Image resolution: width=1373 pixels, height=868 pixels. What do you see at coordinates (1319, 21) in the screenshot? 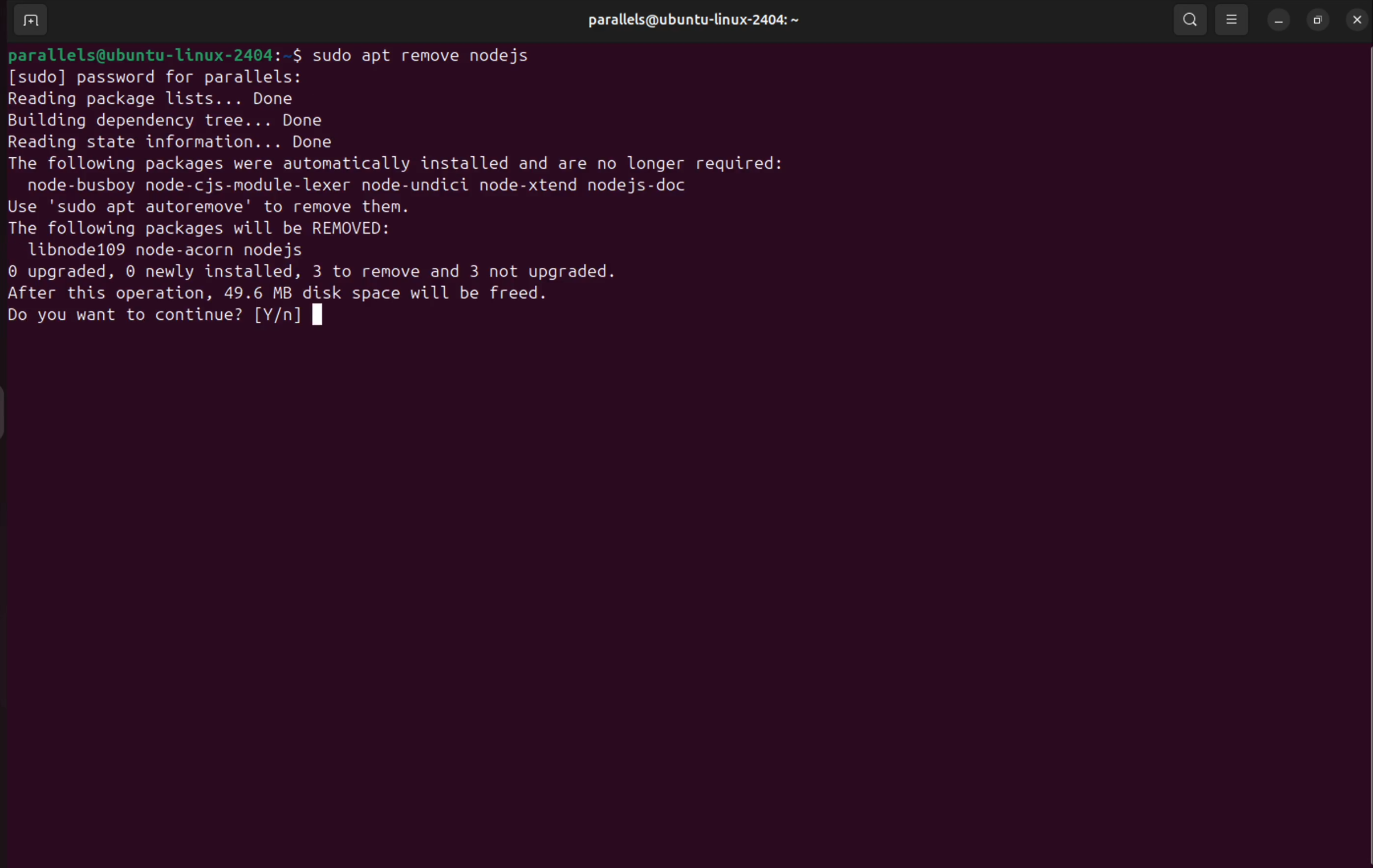
I see `resize` at bounding box center [1319, 21].